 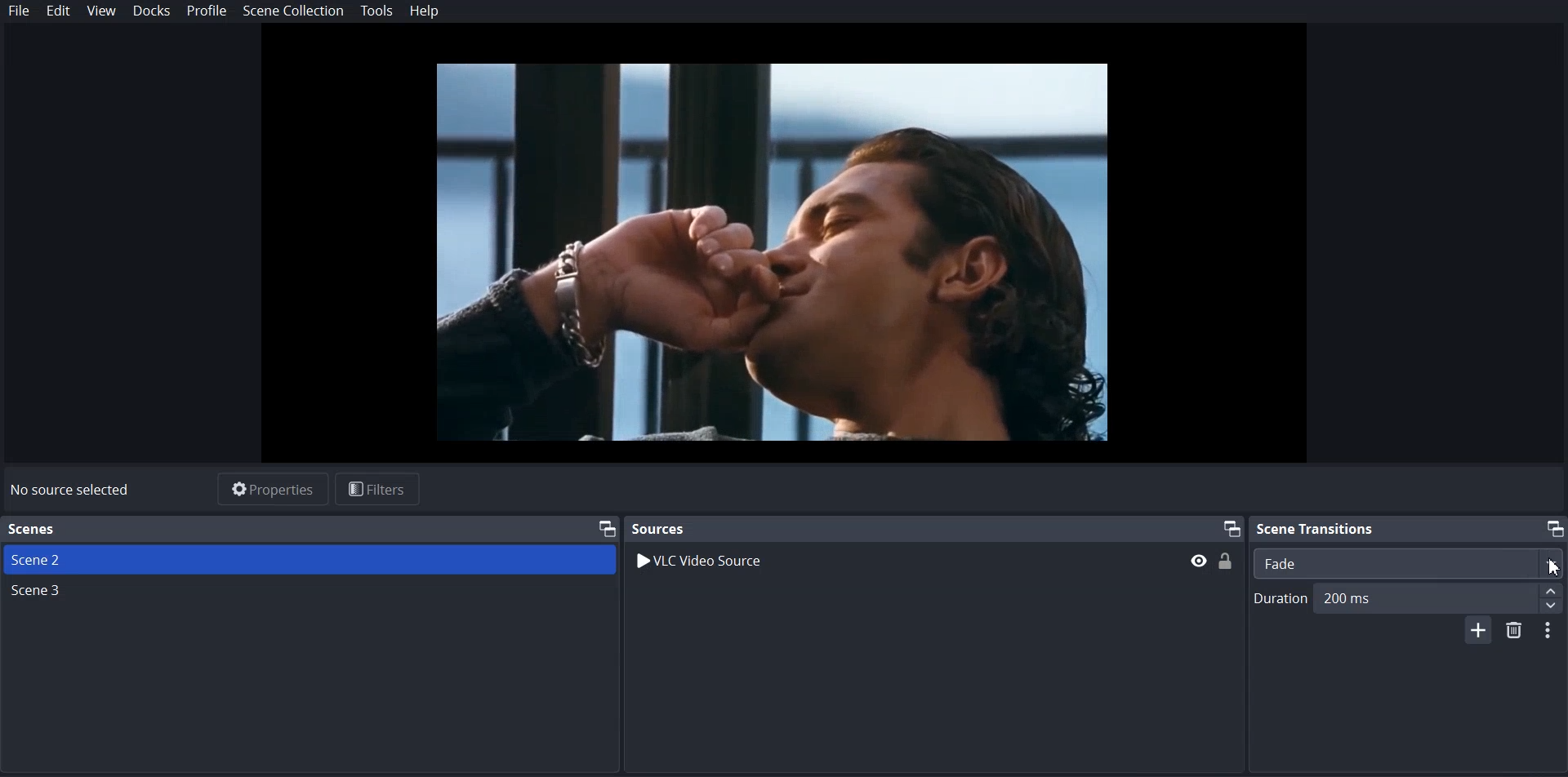 What do you see at coordinates (58, 11) in the screenshot?
I see `Edit` at bounding box center [58, 11].